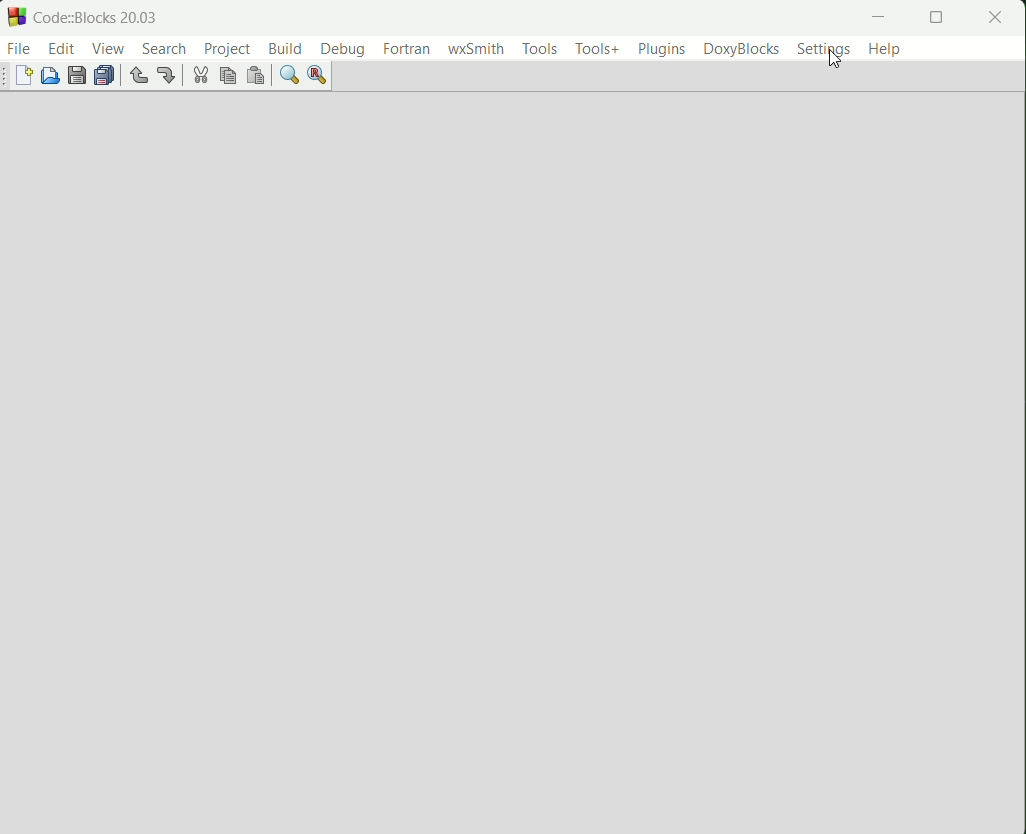 Image resolution: width=1026 pixels, height=834 pixels. Describe the element at coordinates (20, 47) in the screenshot. I see `file` at that location.